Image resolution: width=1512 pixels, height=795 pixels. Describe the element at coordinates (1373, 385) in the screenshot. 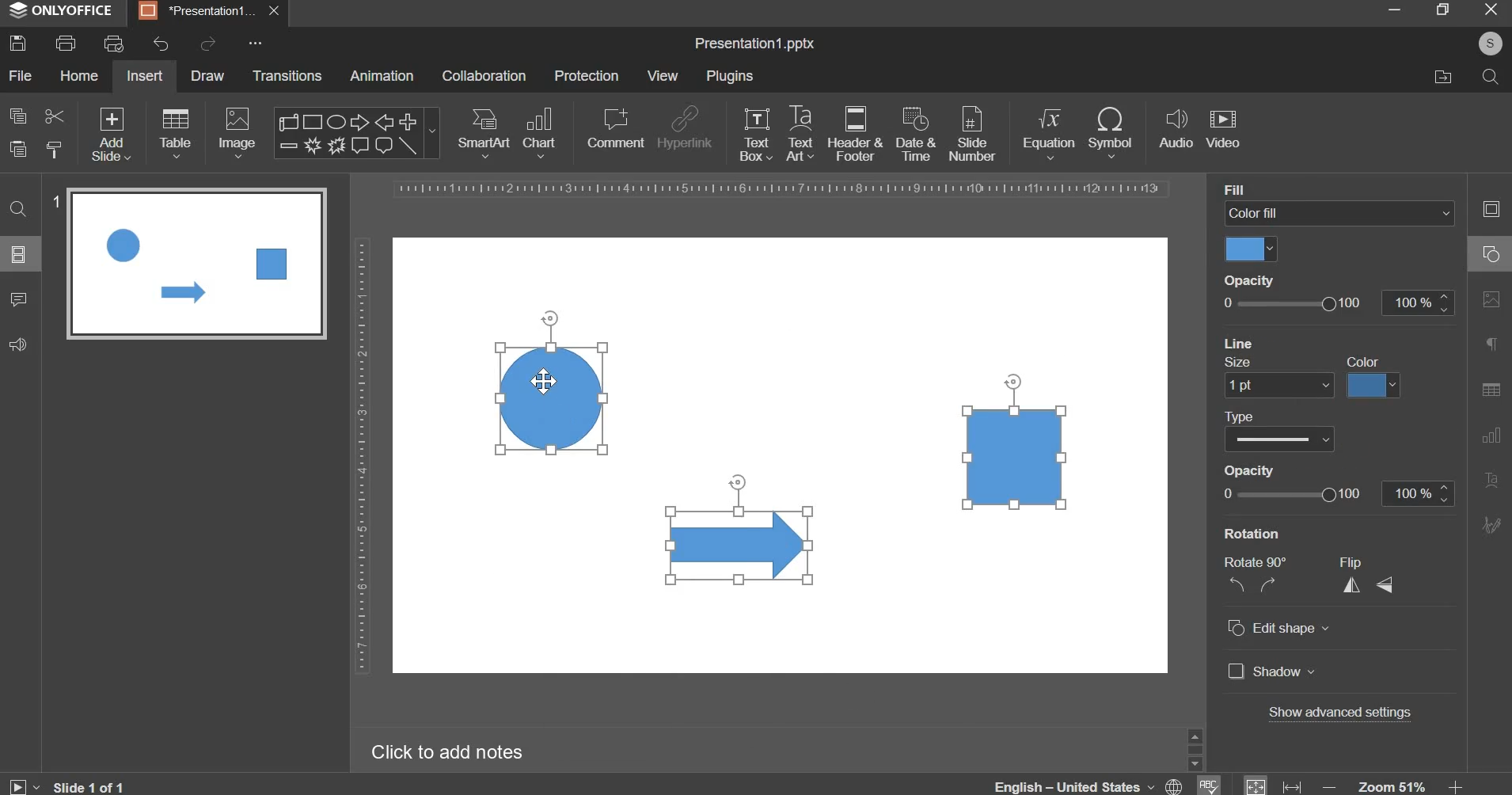

I see `color` at that location.